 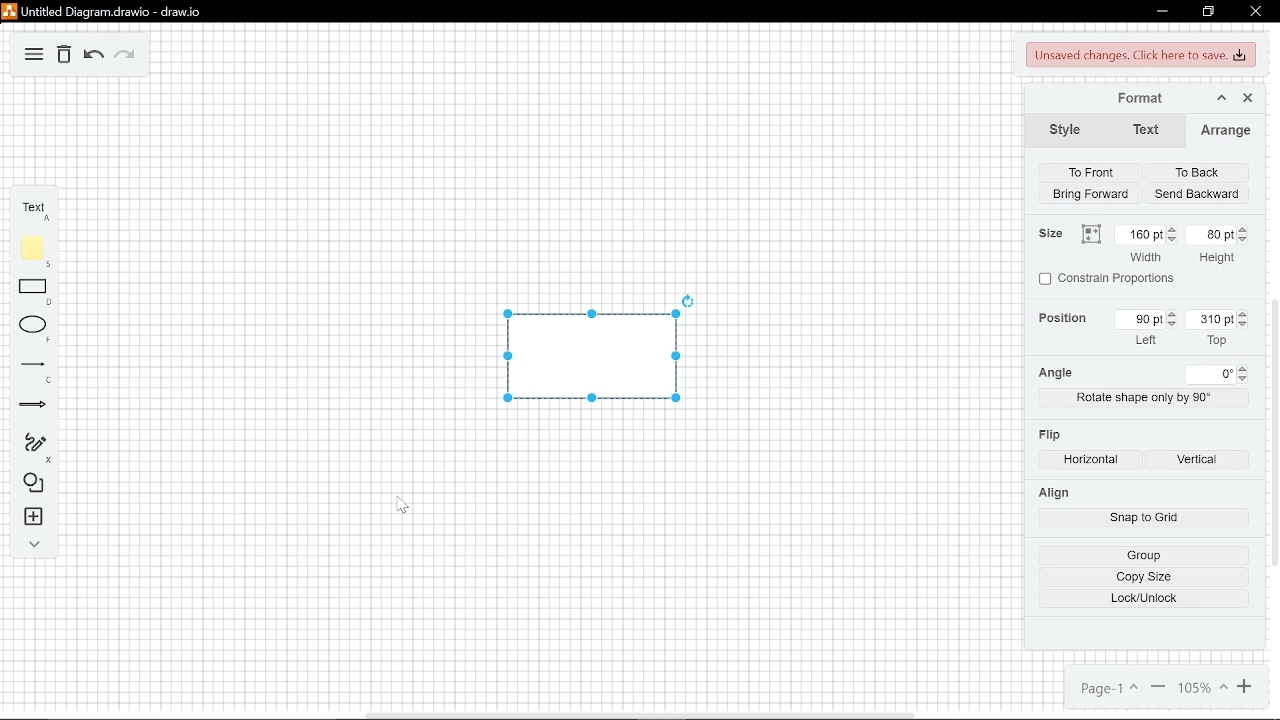 I want to click on freehand, so click(x=38, y=447).